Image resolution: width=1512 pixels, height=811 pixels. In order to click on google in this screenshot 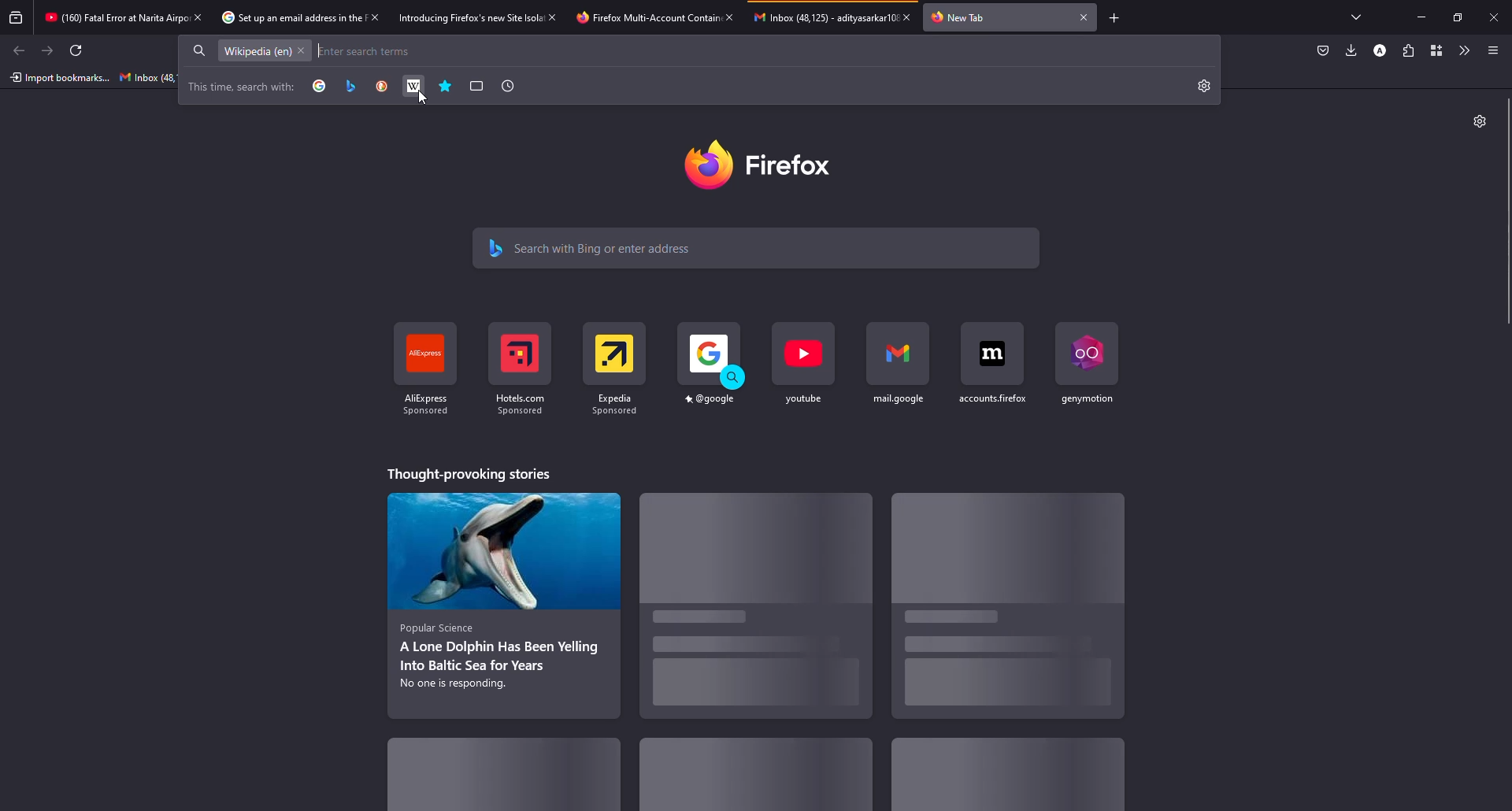, I will do `click(320, 87)`.